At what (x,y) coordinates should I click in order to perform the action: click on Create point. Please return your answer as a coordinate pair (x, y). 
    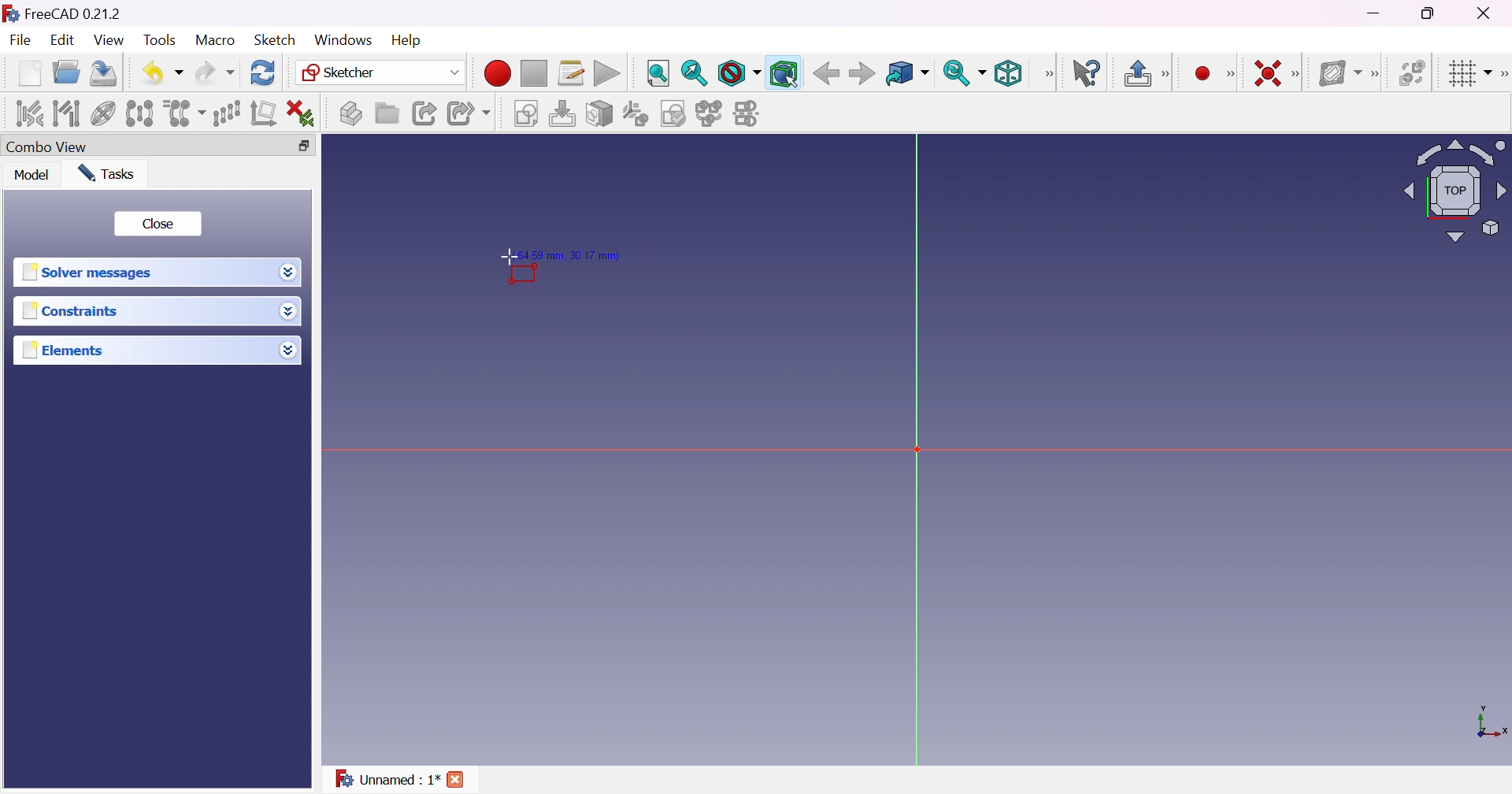
    Looking at the image, I should click on (1201, 73).